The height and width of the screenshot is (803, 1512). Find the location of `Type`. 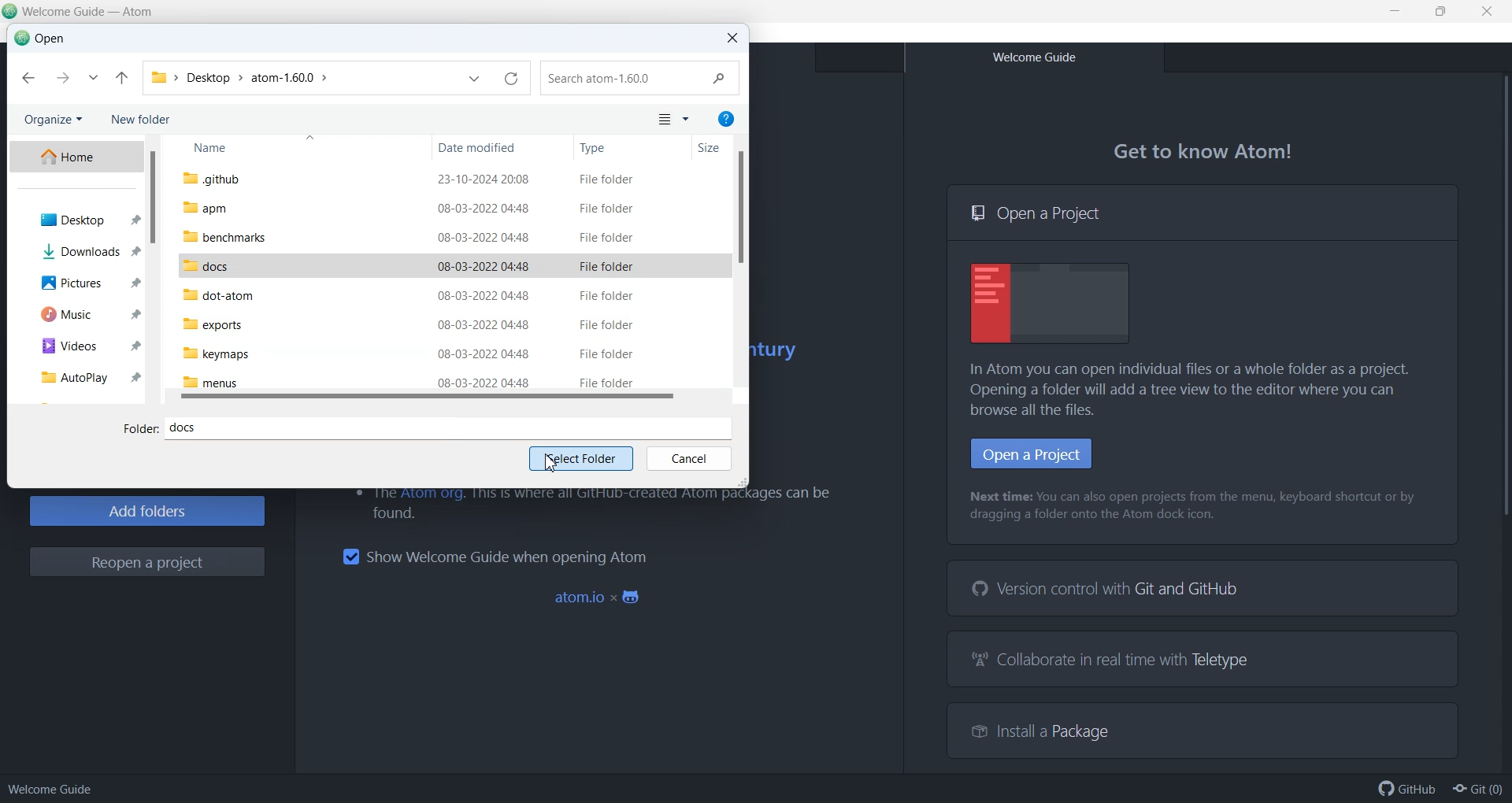

Type is located at coordinates (632, 148).